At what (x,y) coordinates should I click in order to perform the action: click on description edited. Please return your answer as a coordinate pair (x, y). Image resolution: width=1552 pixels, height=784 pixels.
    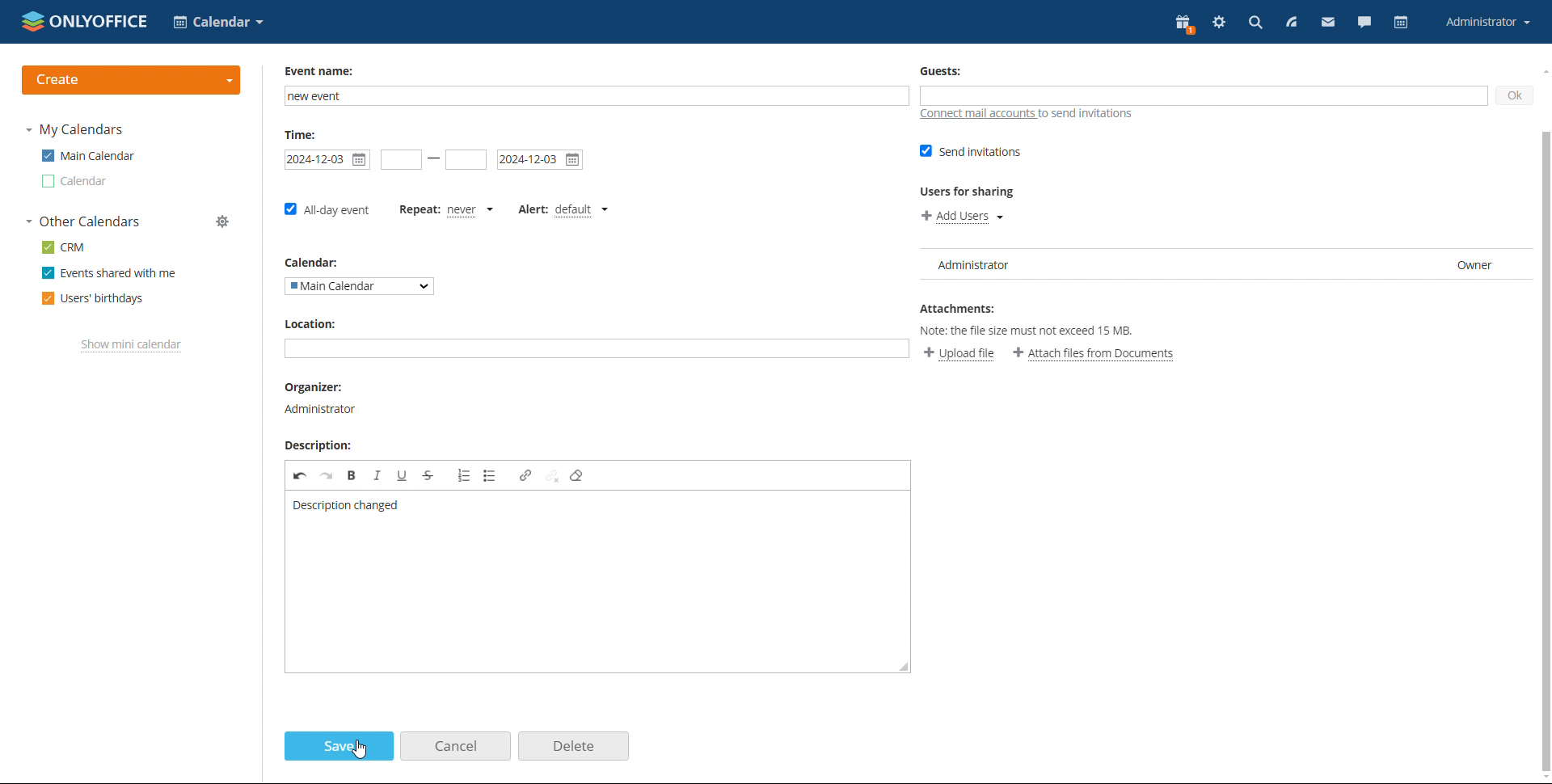
    Looking at the image, I should click on (345, 505).